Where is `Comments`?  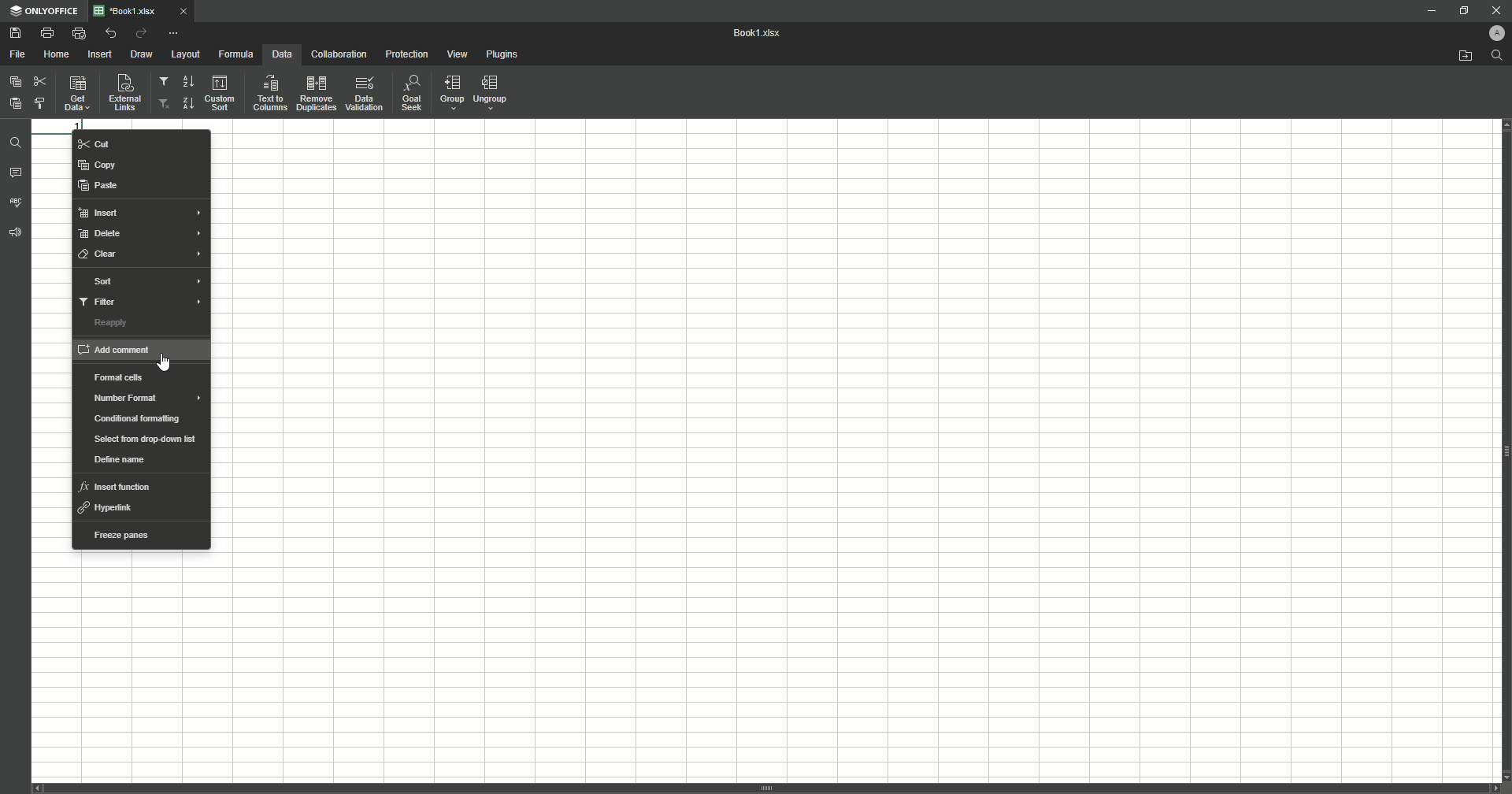 Comments is located at coordinates (17, 175).